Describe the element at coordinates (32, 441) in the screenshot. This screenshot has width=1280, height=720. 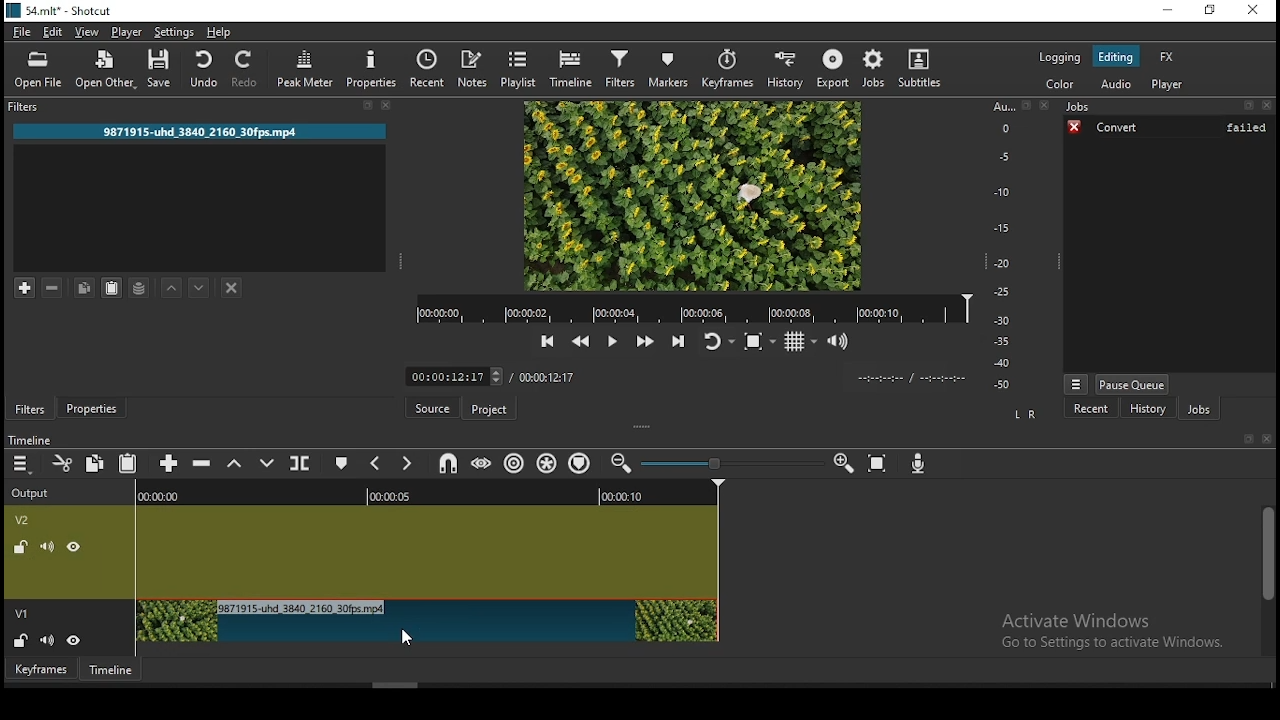
I see `timeline` at that location.